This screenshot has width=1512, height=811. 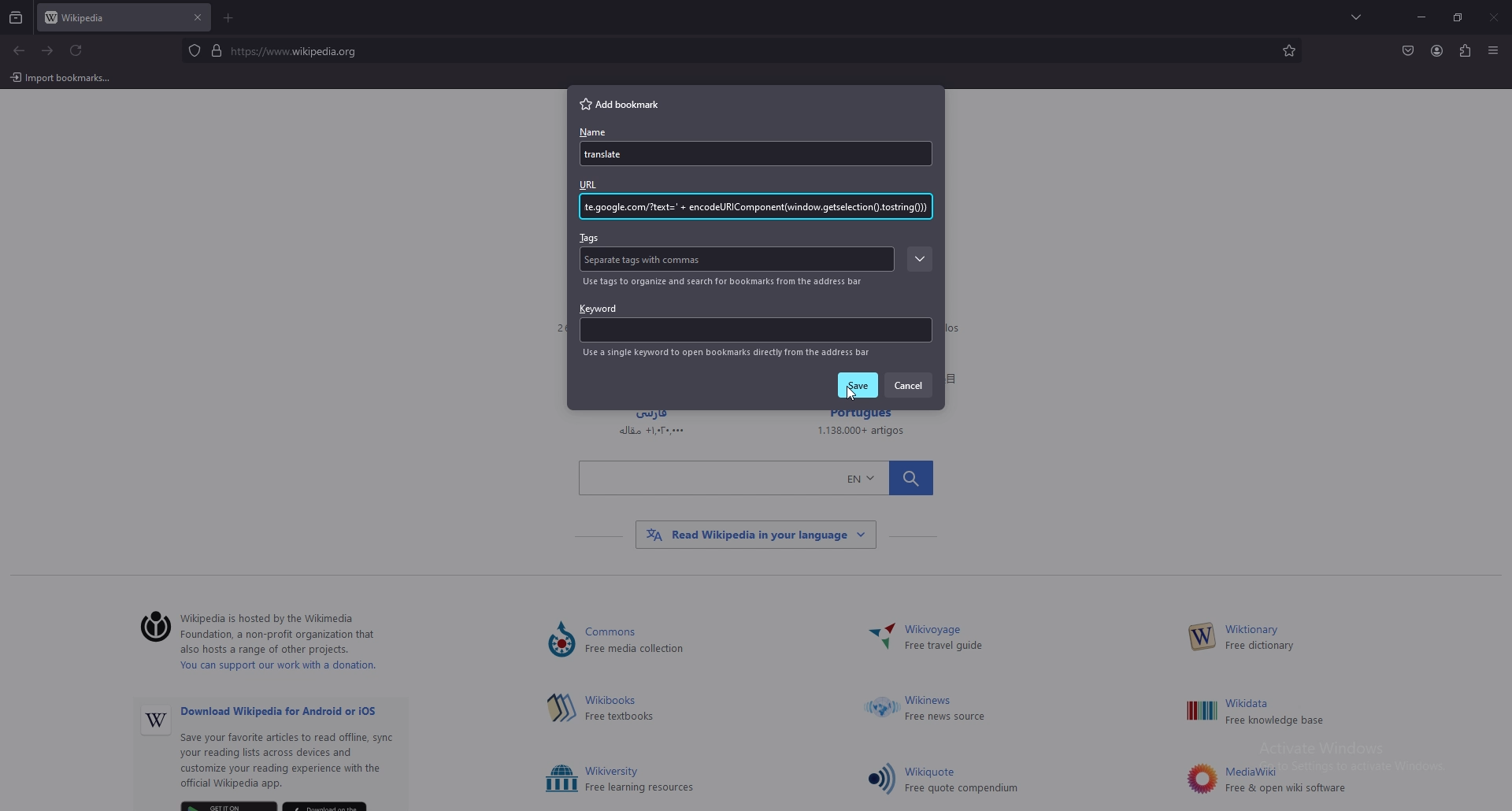 I want to click on , so click(x=1203, y=637).